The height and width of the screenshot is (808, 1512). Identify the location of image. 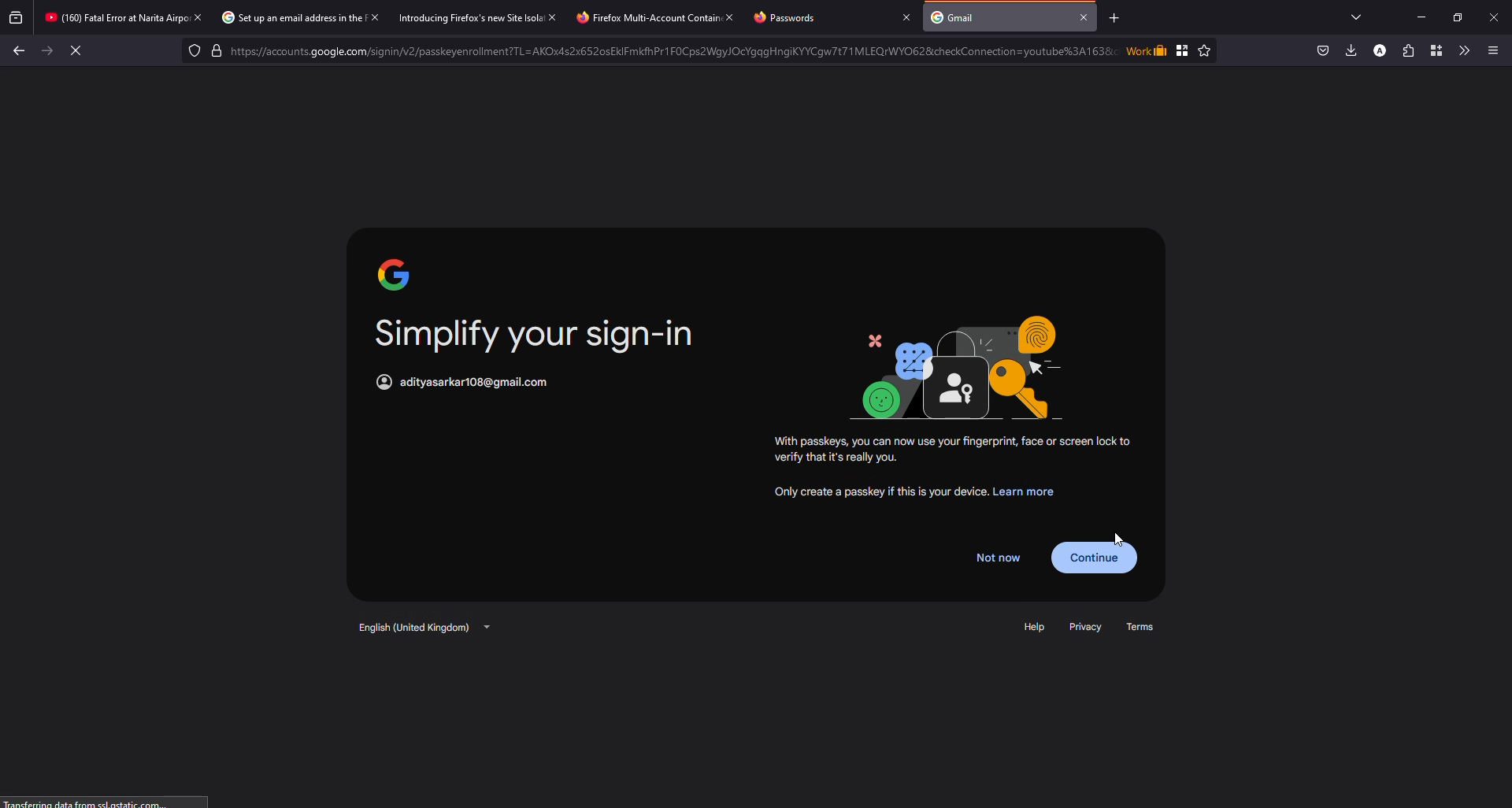
(971, 369).